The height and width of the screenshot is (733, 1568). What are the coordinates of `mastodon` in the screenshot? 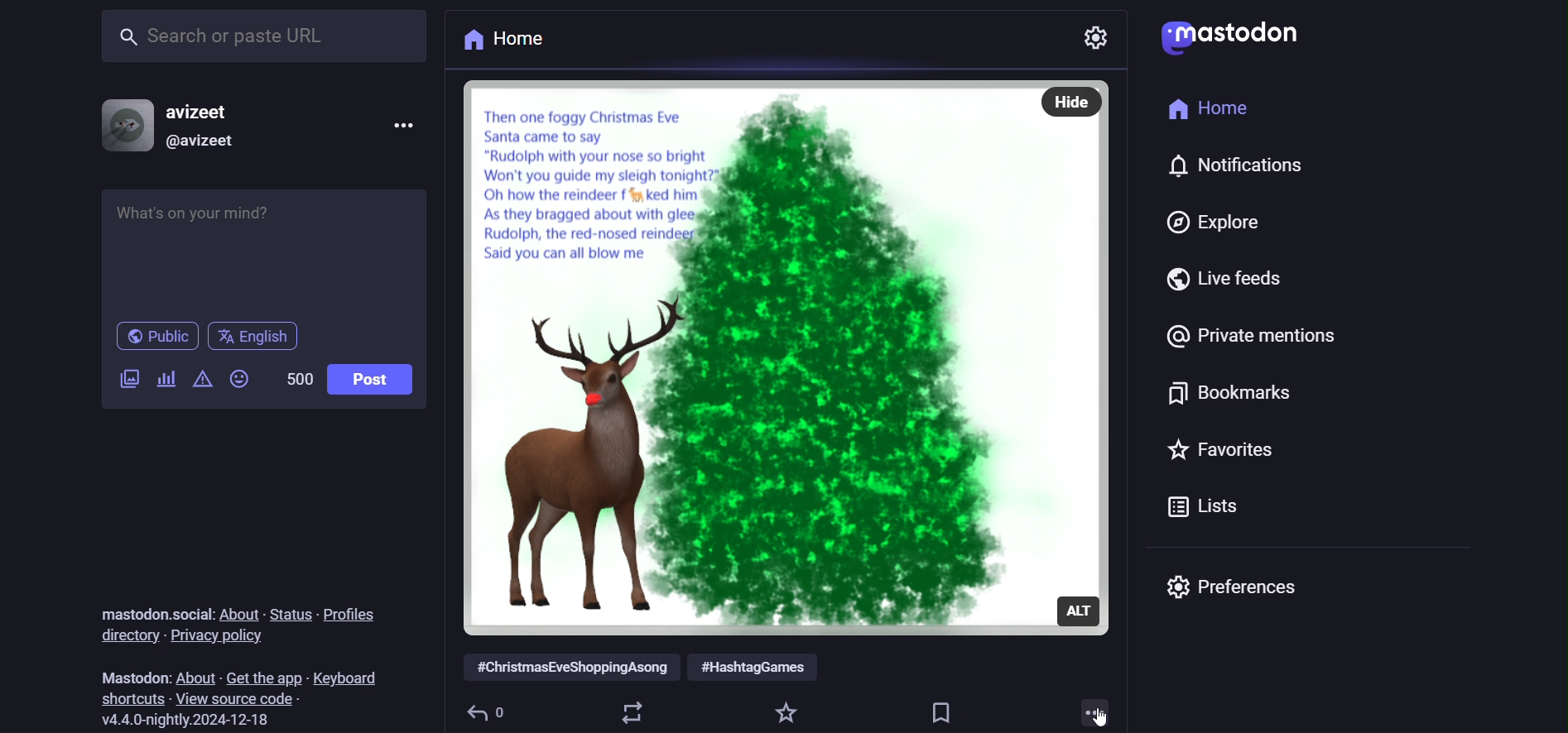 It's located at (135, 677).